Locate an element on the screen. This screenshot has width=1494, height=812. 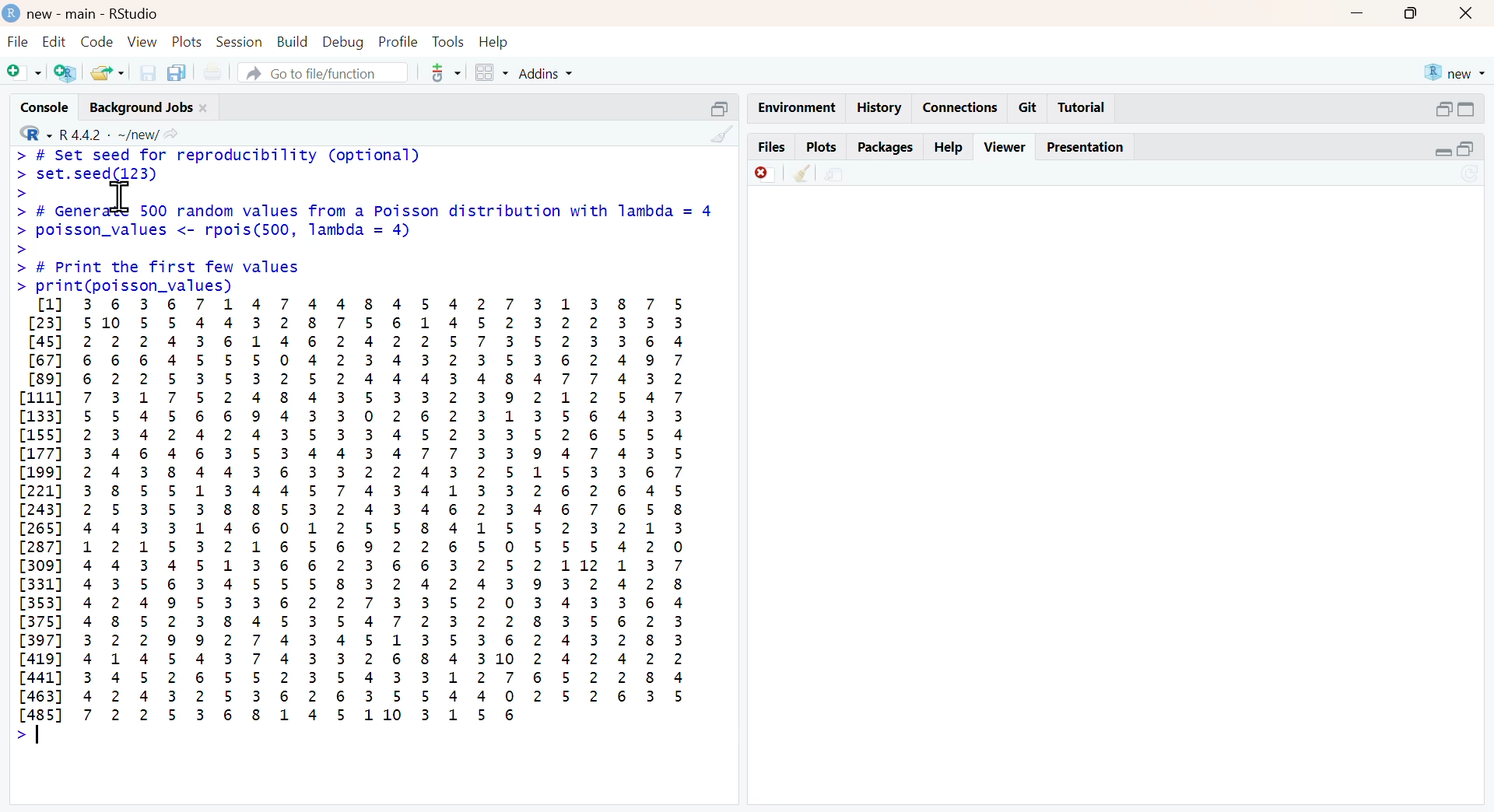
share is located at coordinates (833, 174).